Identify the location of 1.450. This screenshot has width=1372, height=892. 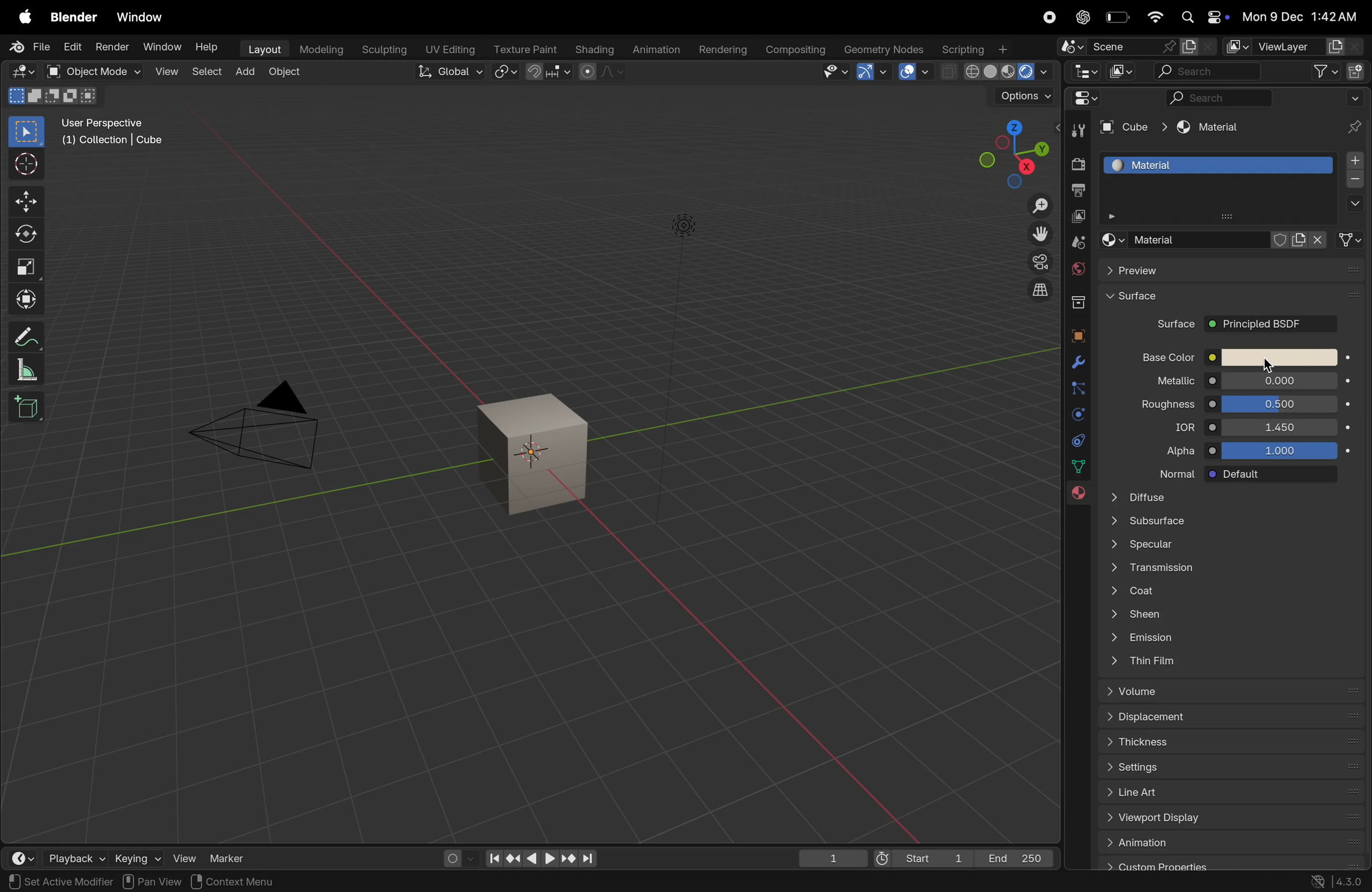
(1280, 426).